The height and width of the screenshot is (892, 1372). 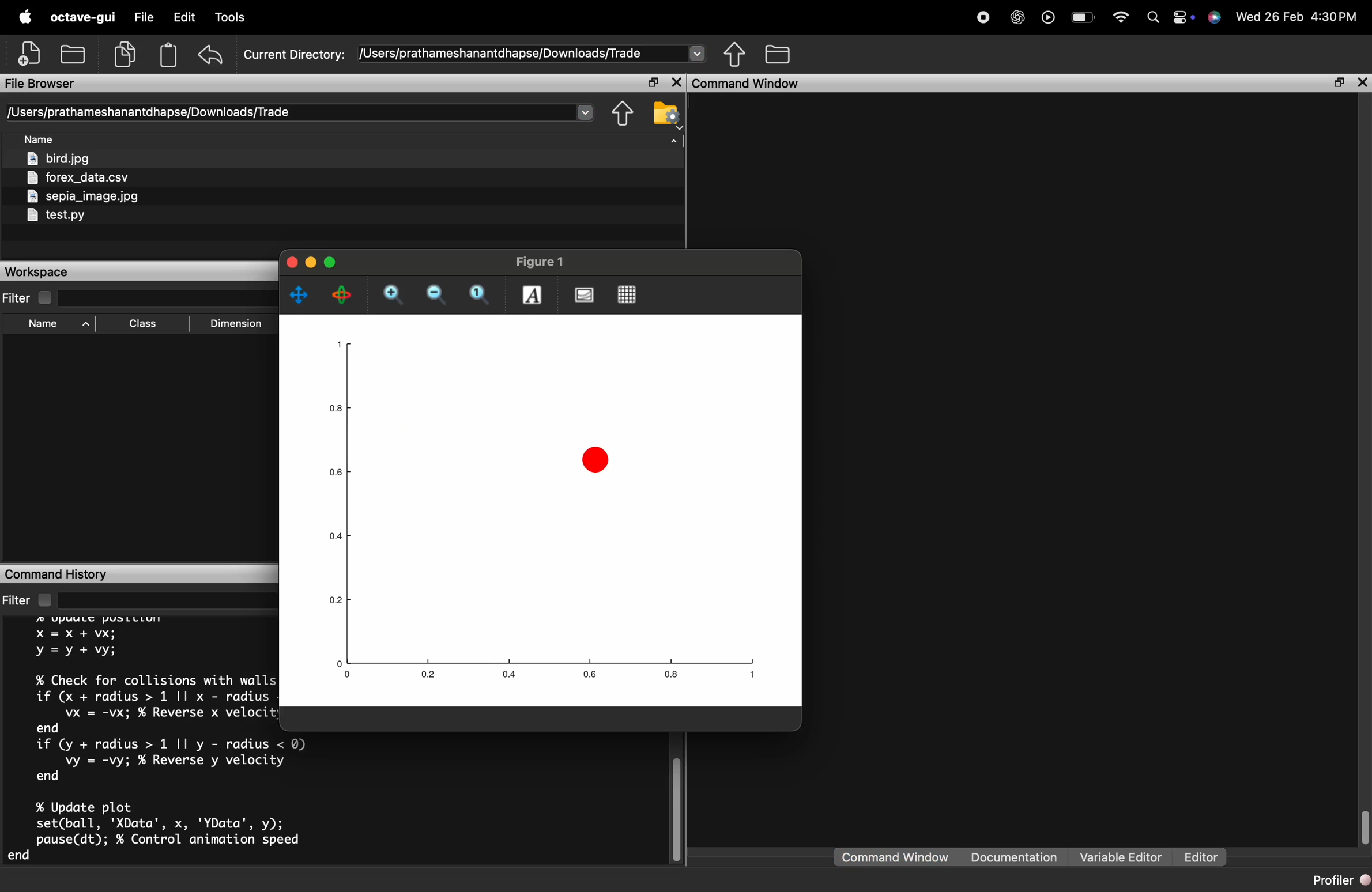 I want to click on  testpy, so click(x=55, y=215).